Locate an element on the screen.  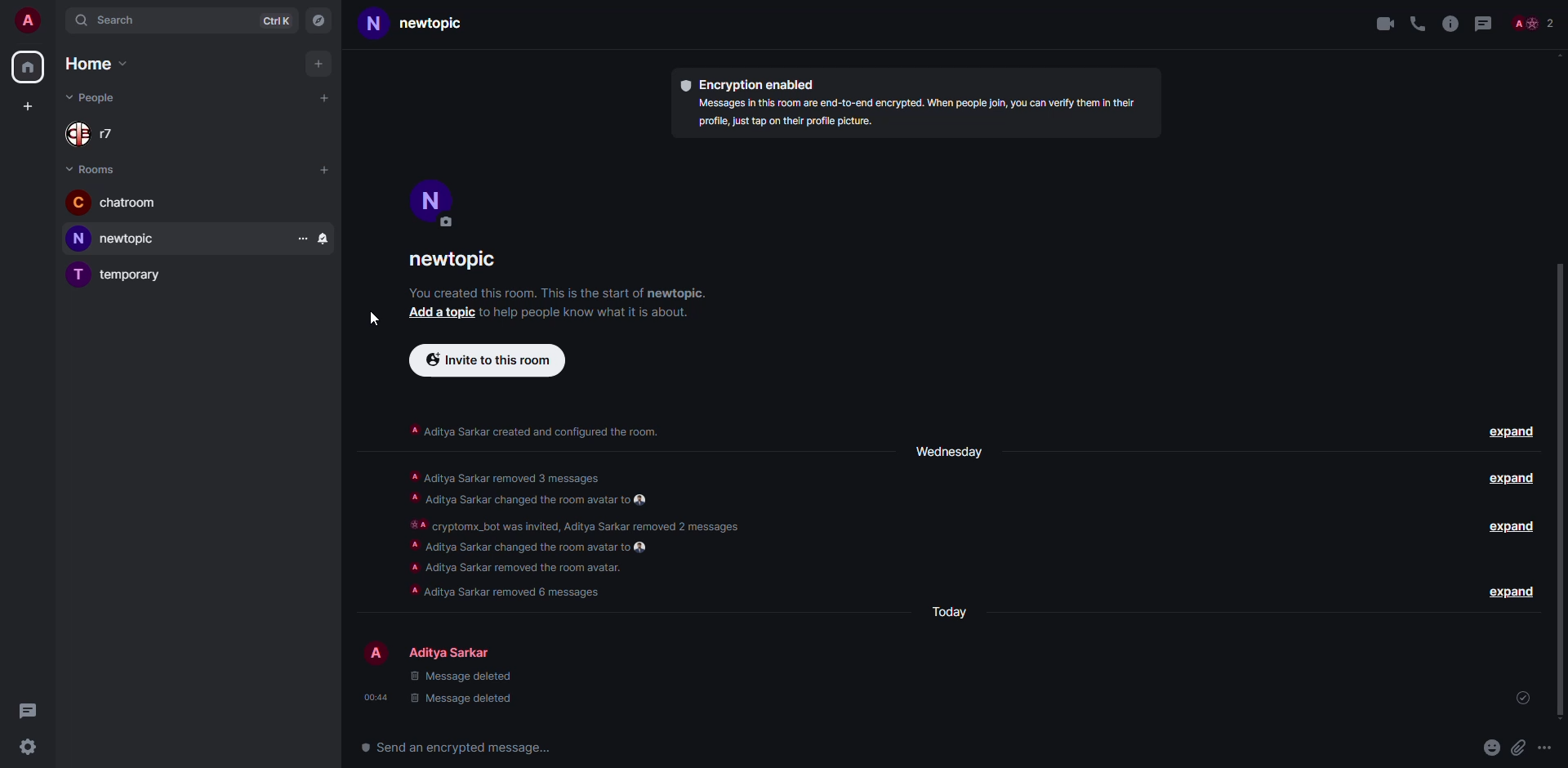
home is located at coordinates (96, 63).